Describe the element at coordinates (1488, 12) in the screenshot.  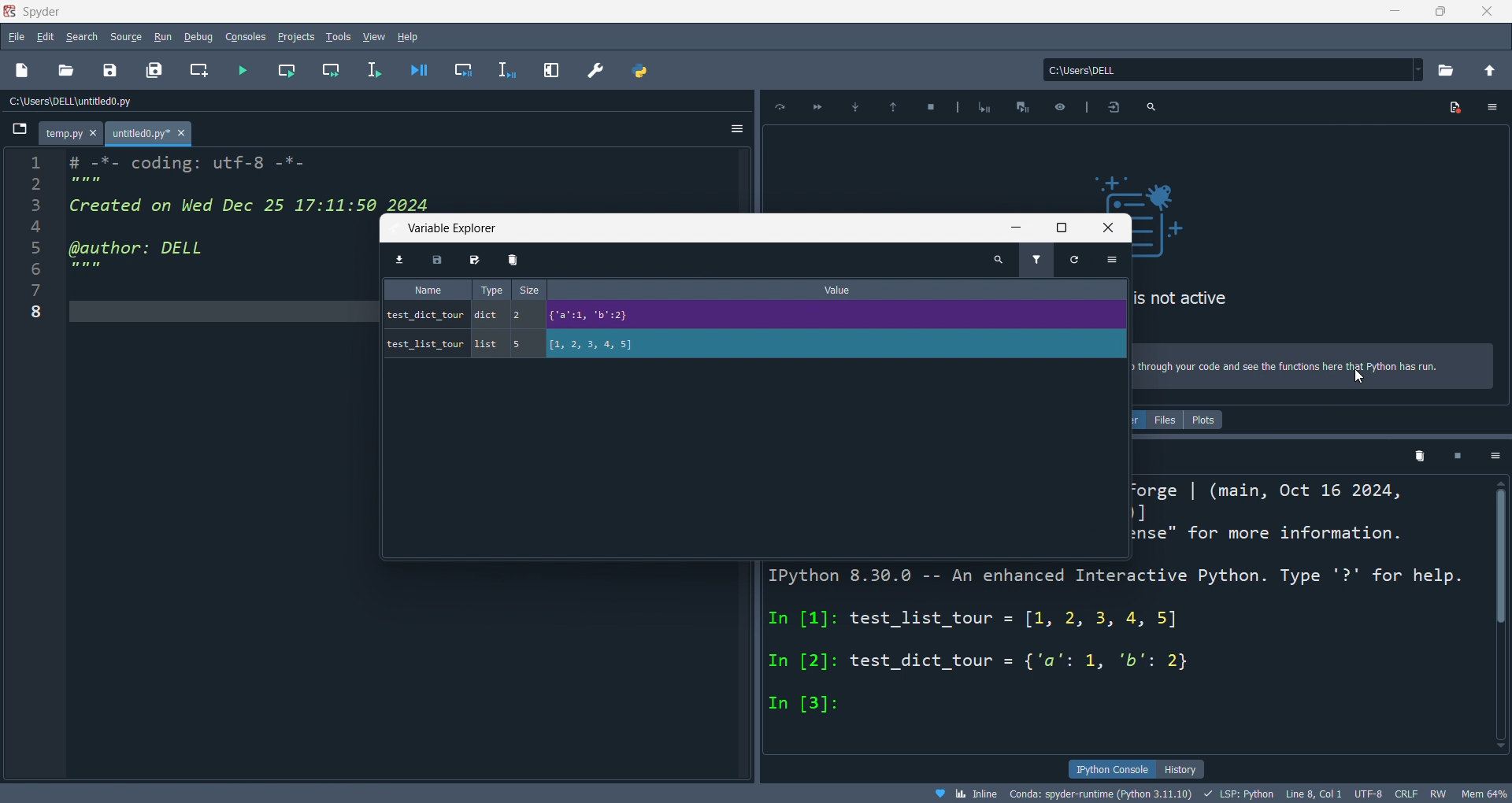
I see `close` at that location.